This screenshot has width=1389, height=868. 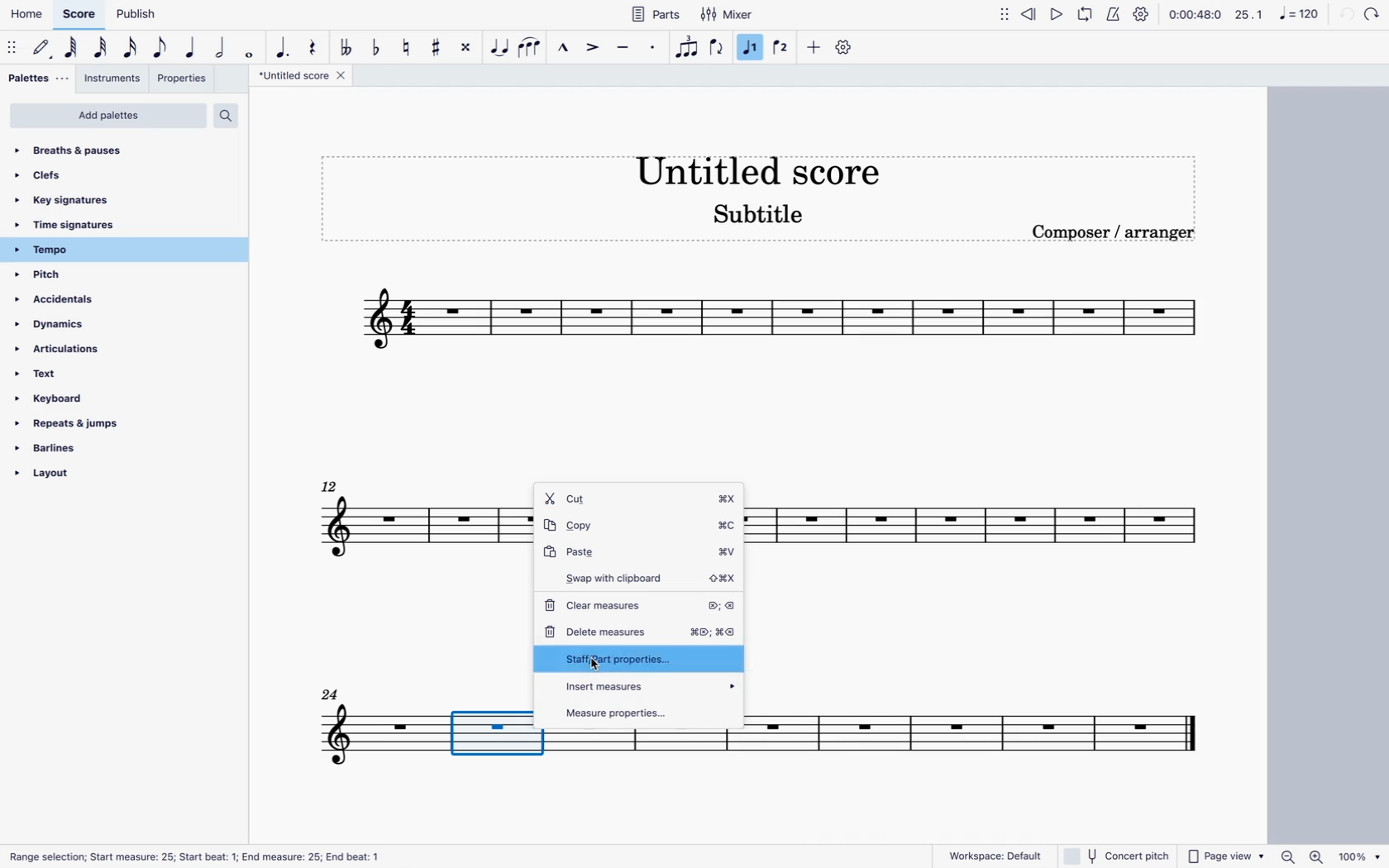 What do you see at coordinates (464, 46) in the screenshot?
I see `toggle double sharp` at bounding box center [464, 46].